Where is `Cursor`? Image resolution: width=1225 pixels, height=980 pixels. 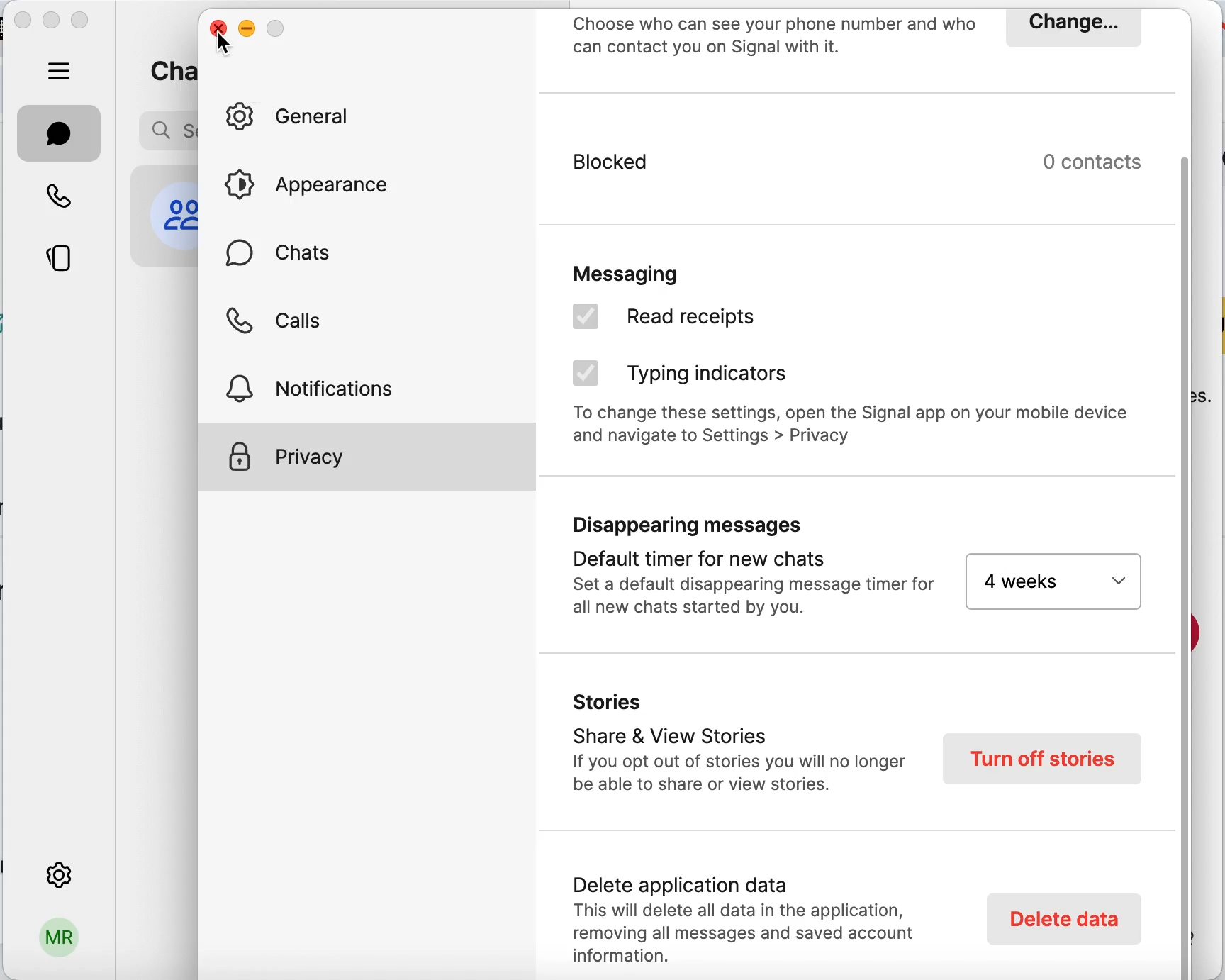 Cursor is located at coordinates (585, 373).